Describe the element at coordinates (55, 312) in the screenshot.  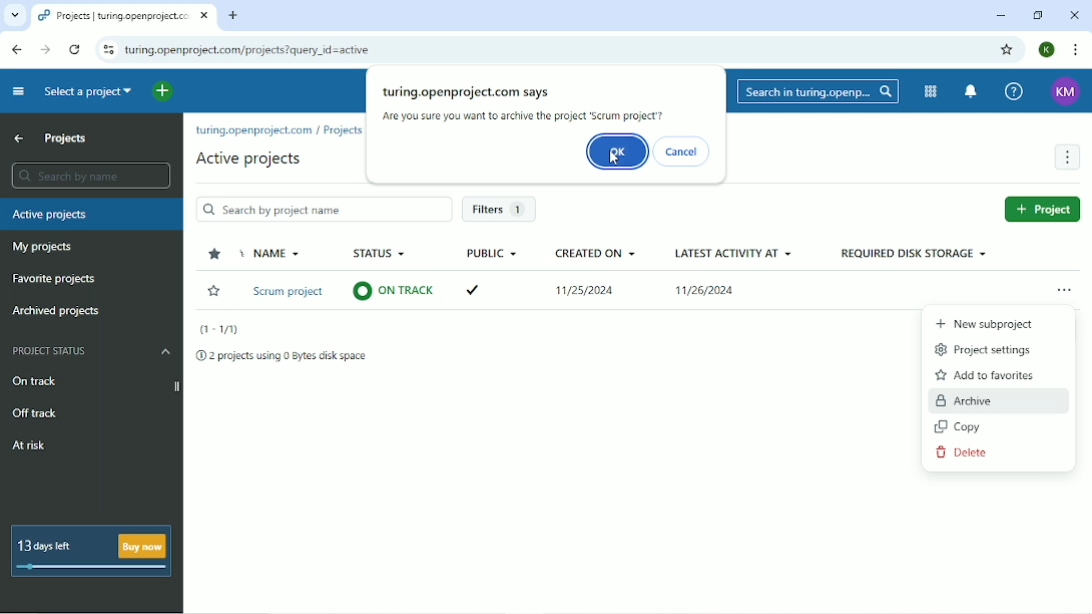
I see `Archived projects` at that location.